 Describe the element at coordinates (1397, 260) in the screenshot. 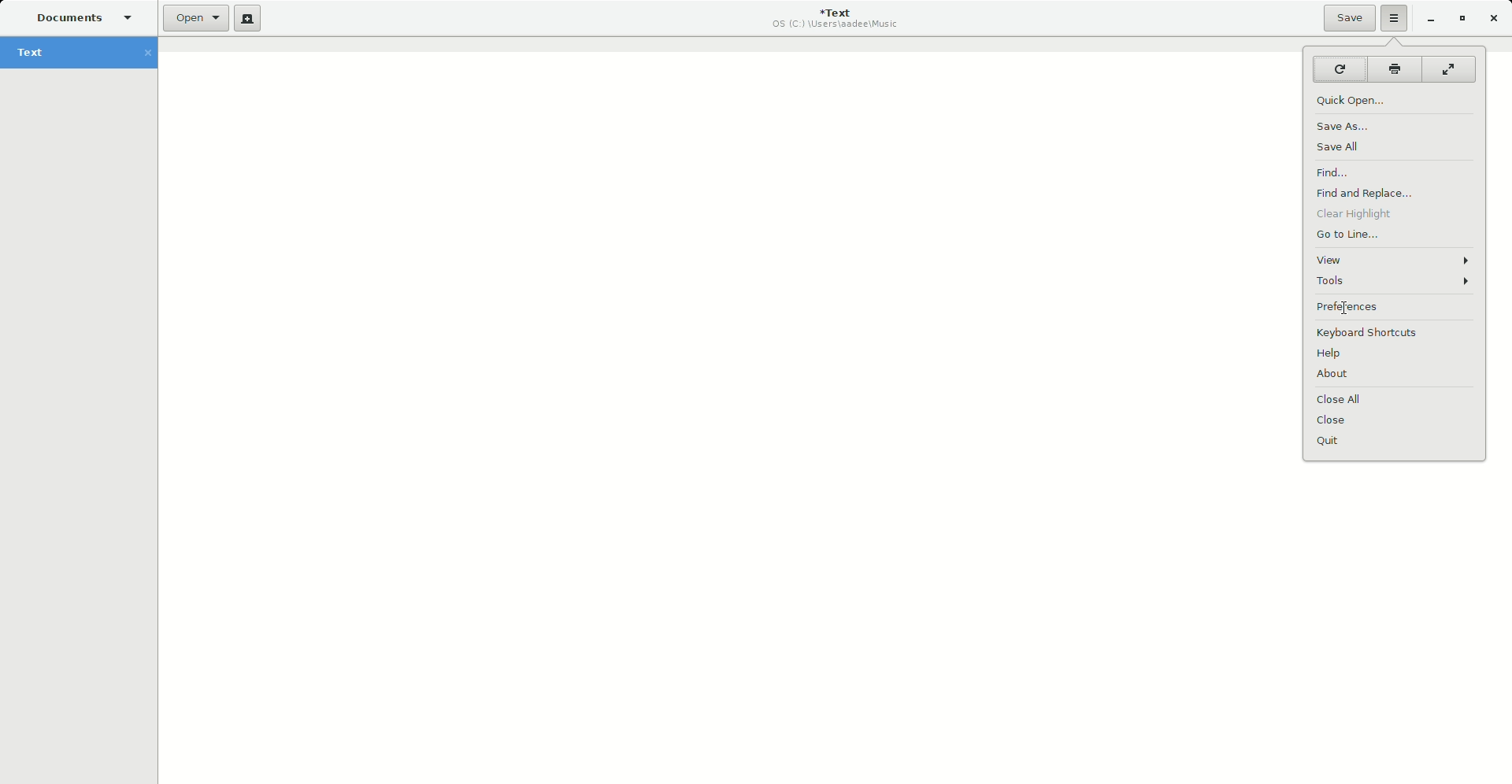

I see `View` at that location.